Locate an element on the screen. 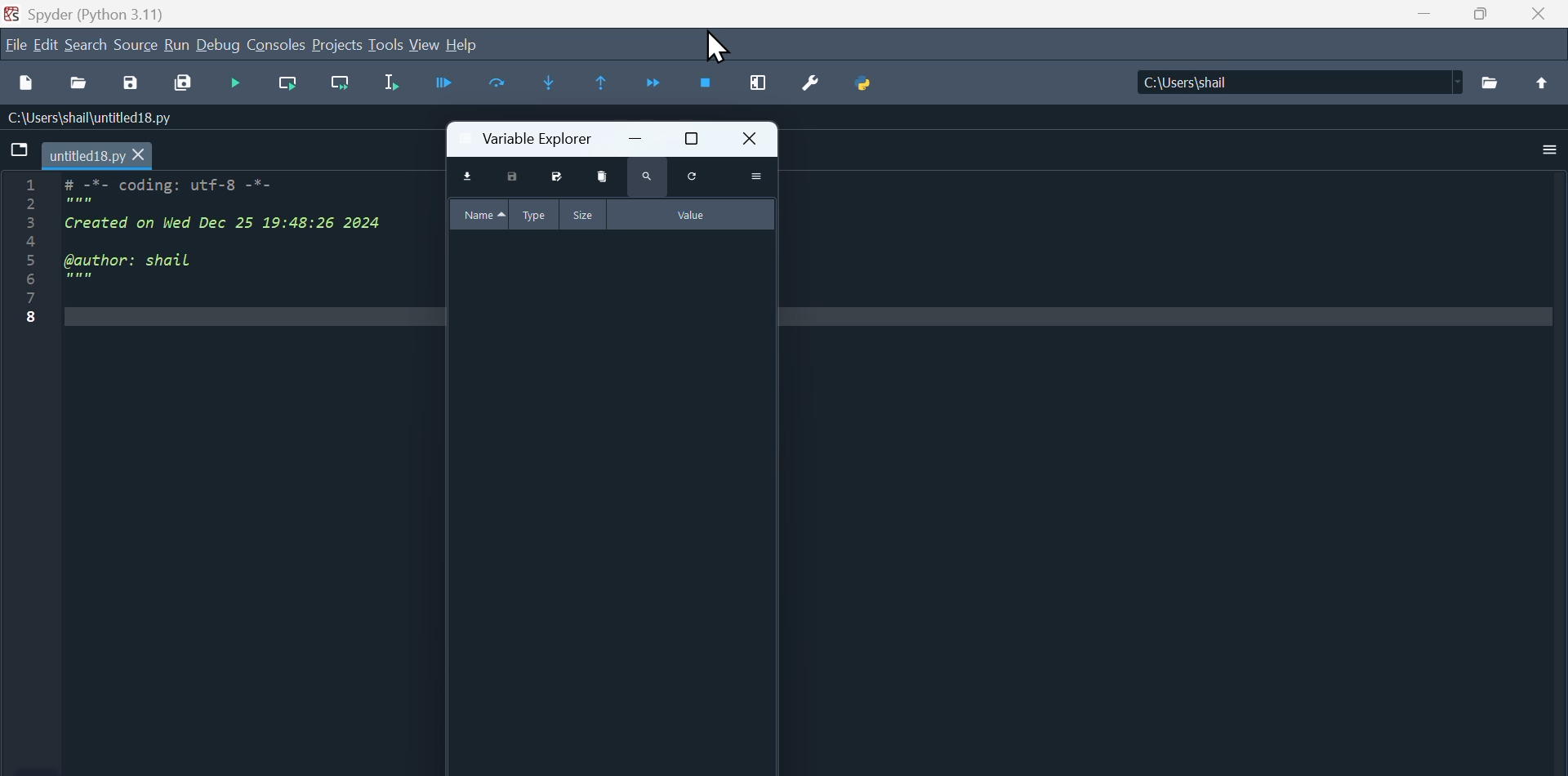 Image resolution: width=1568 pixels, height=776 pixels. Run untill Current function teturns is located at coordinates (609, 87).